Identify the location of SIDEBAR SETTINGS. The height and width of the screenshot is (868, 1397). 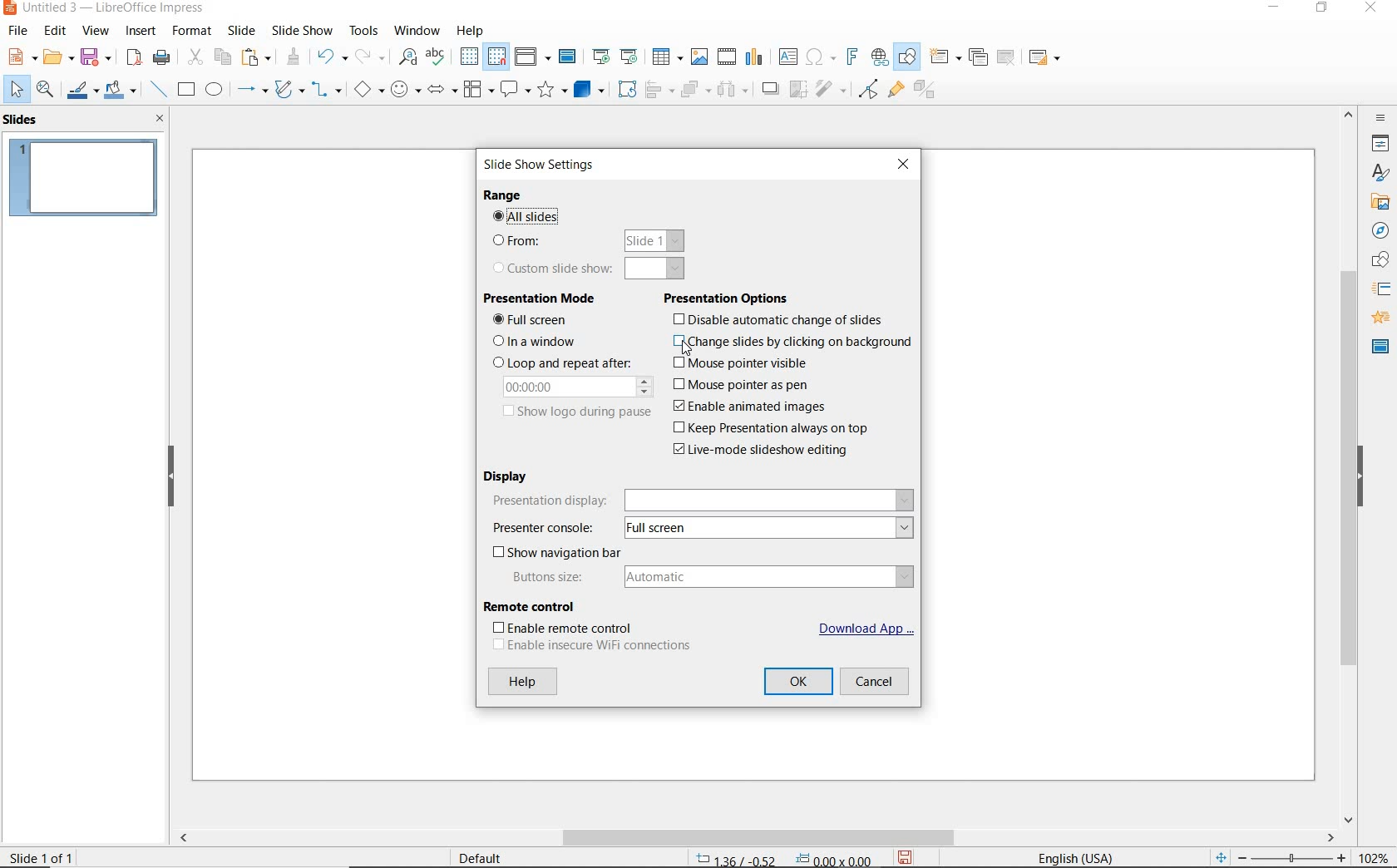
(1380, 119).